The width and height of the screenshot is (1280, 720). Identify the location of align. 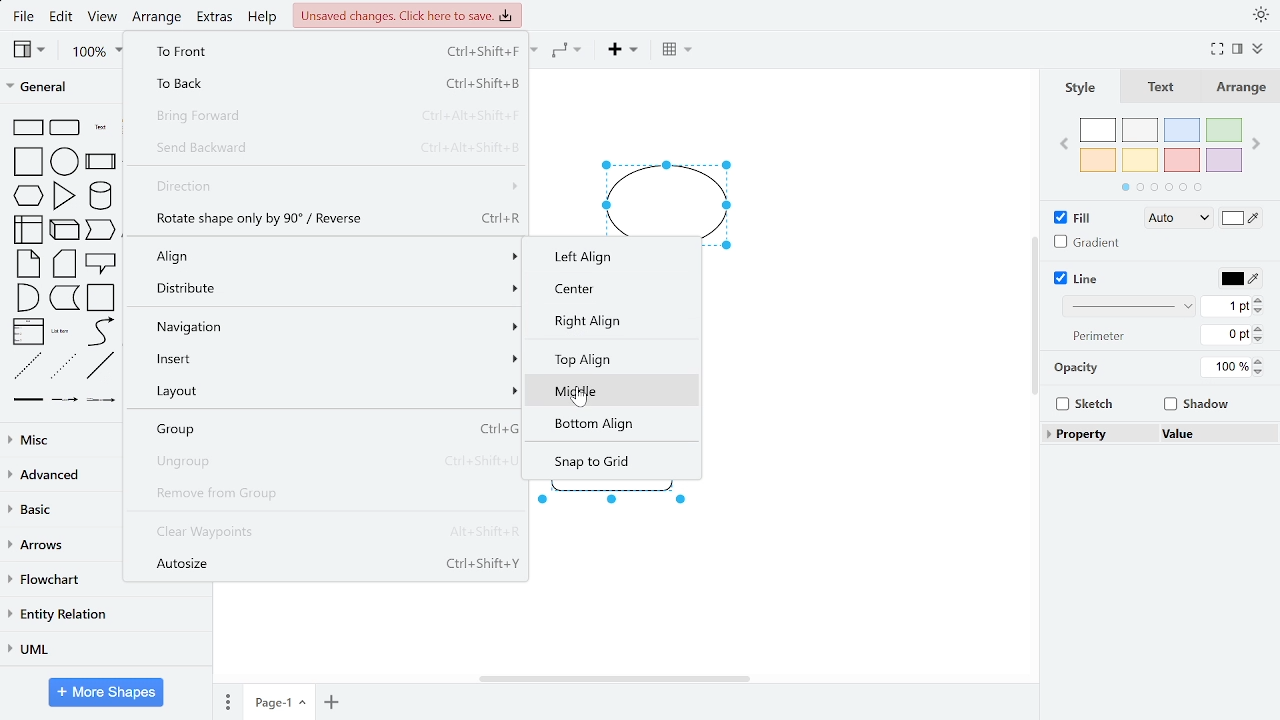
(328, 257).